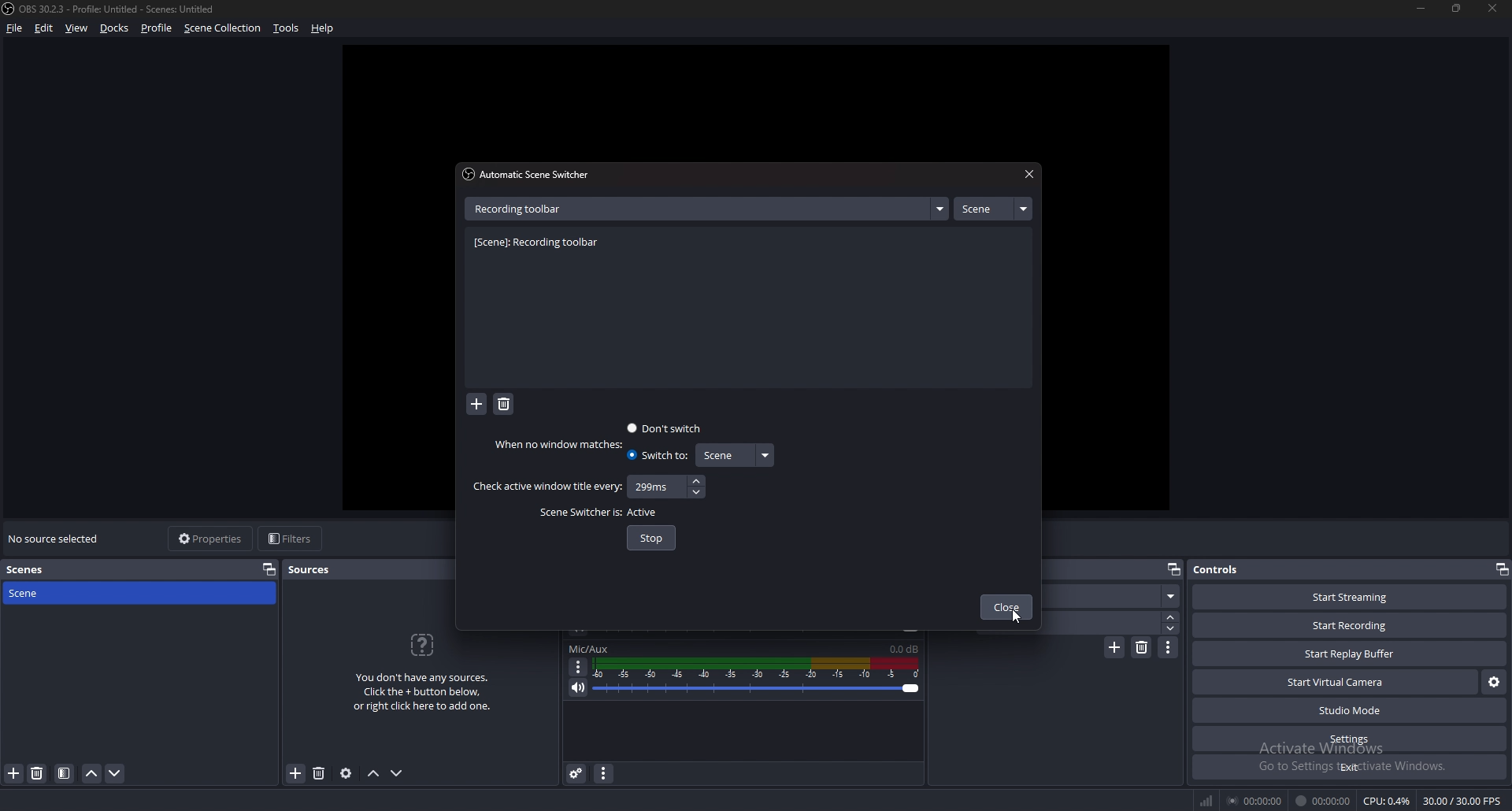 The image size is (1512, 811). Describe the element at coordinates (522, 208) in the screenshot. I see `name input` at that location.